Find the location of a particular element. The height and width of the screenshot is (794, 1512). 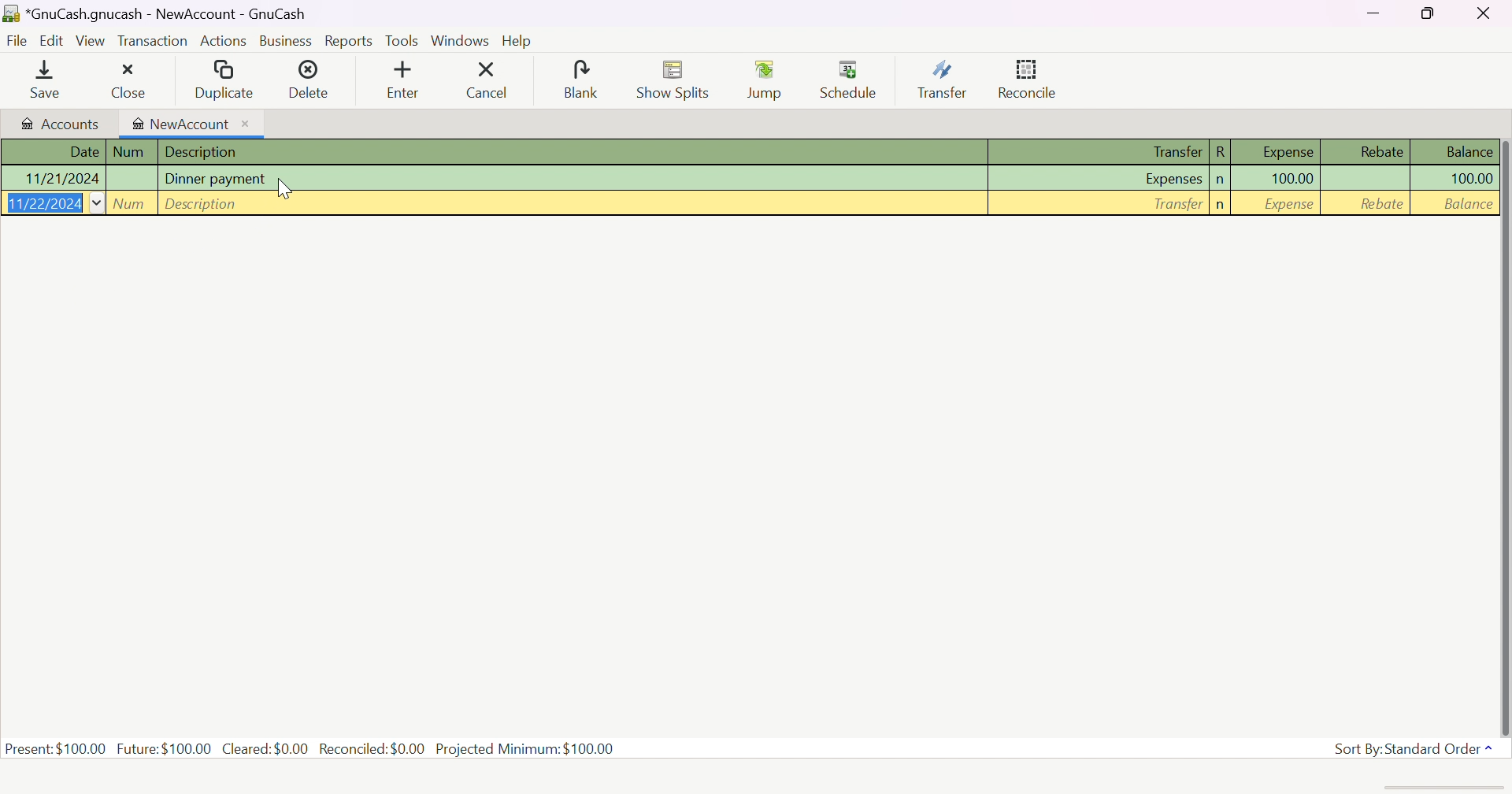

Blank is located at coordinates (578, 78).